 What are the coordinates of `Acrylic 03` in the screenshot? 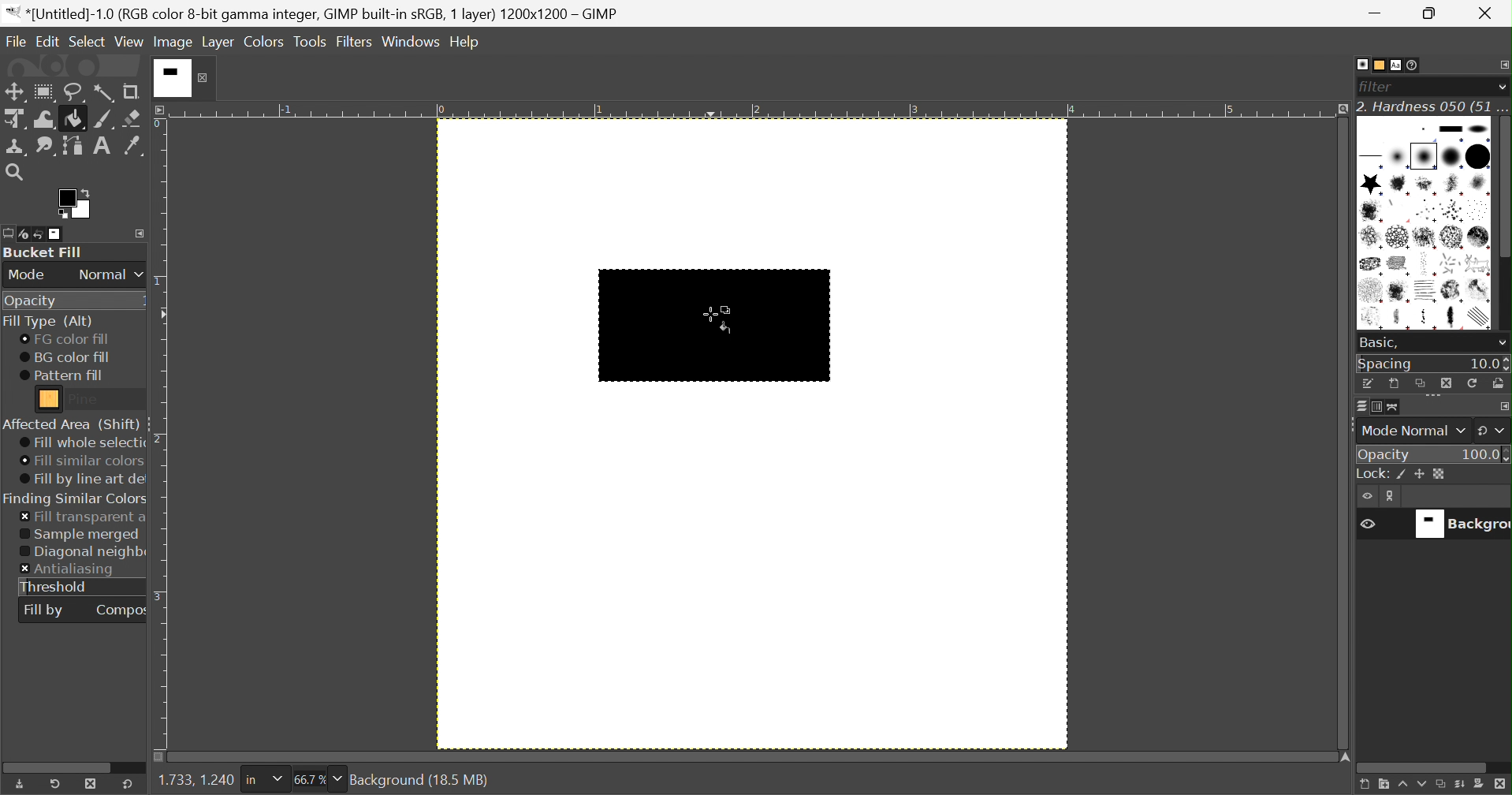 It's located at (1454, 185).